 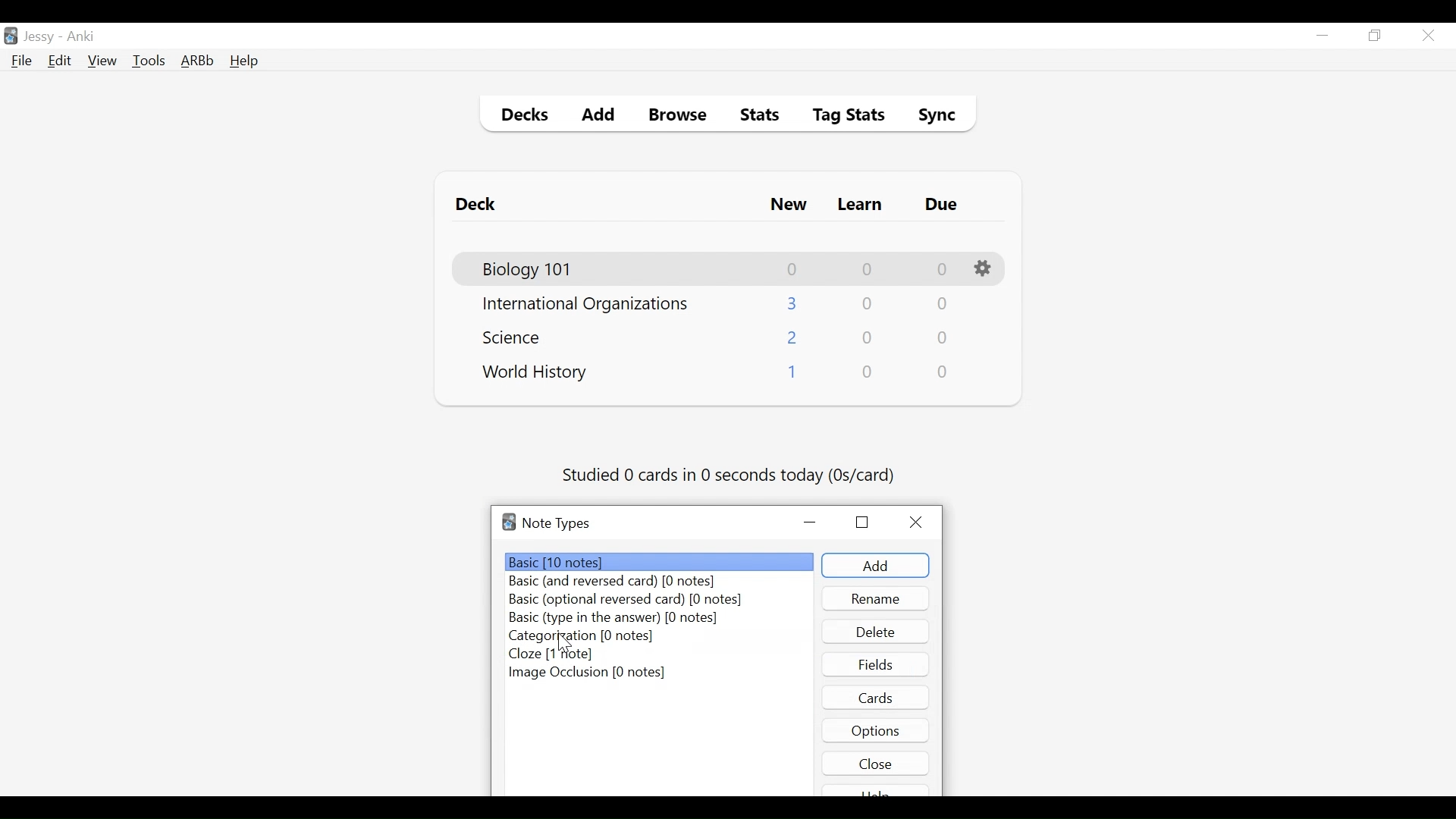 I want to click on Restore, so click(x=862, y=521).